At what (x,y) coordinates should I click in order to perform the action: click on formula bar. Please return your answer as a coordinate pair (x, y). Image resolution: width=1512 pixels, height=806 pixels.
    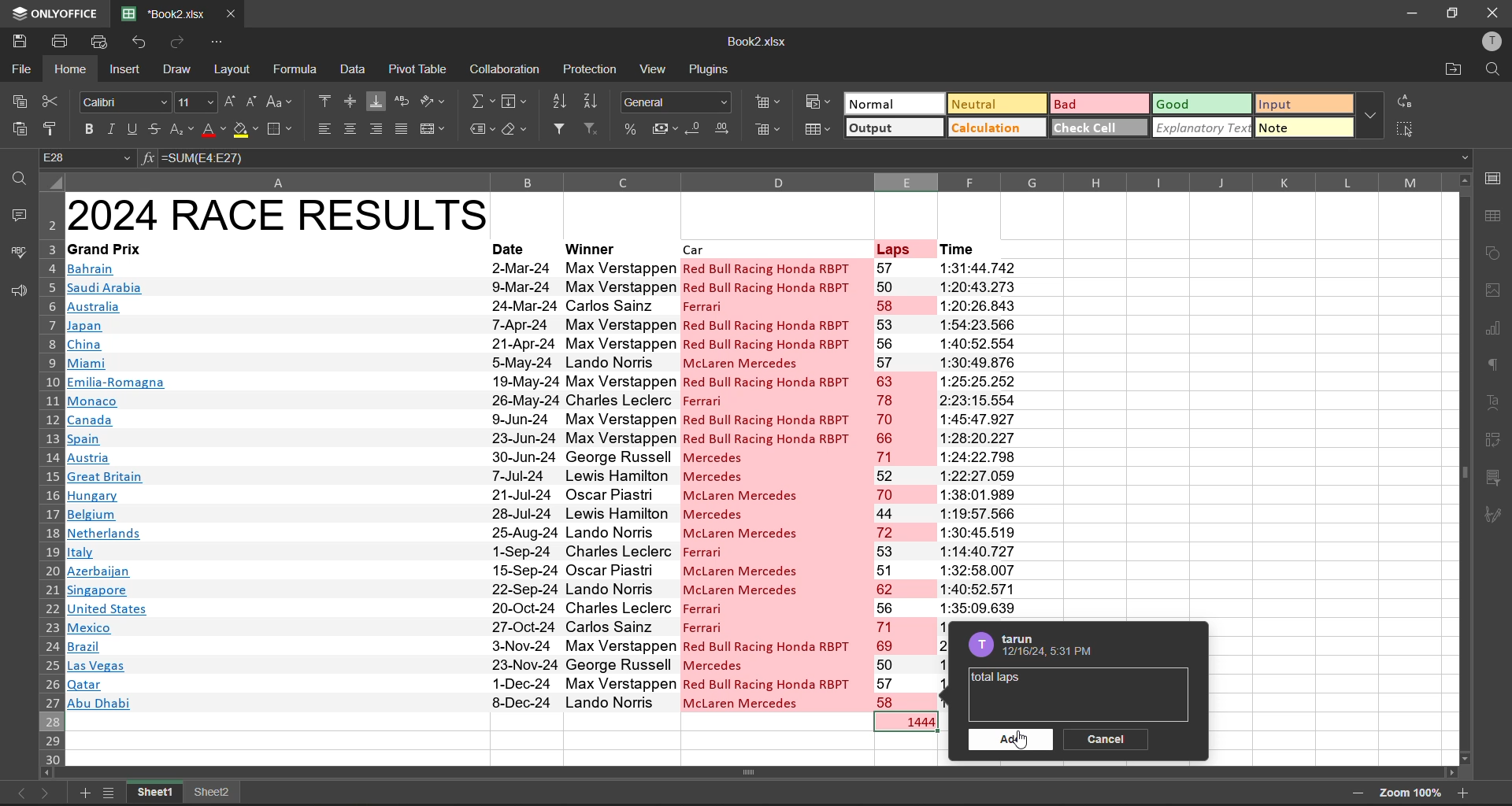
    Looking at the image, I should click on (817, 159).